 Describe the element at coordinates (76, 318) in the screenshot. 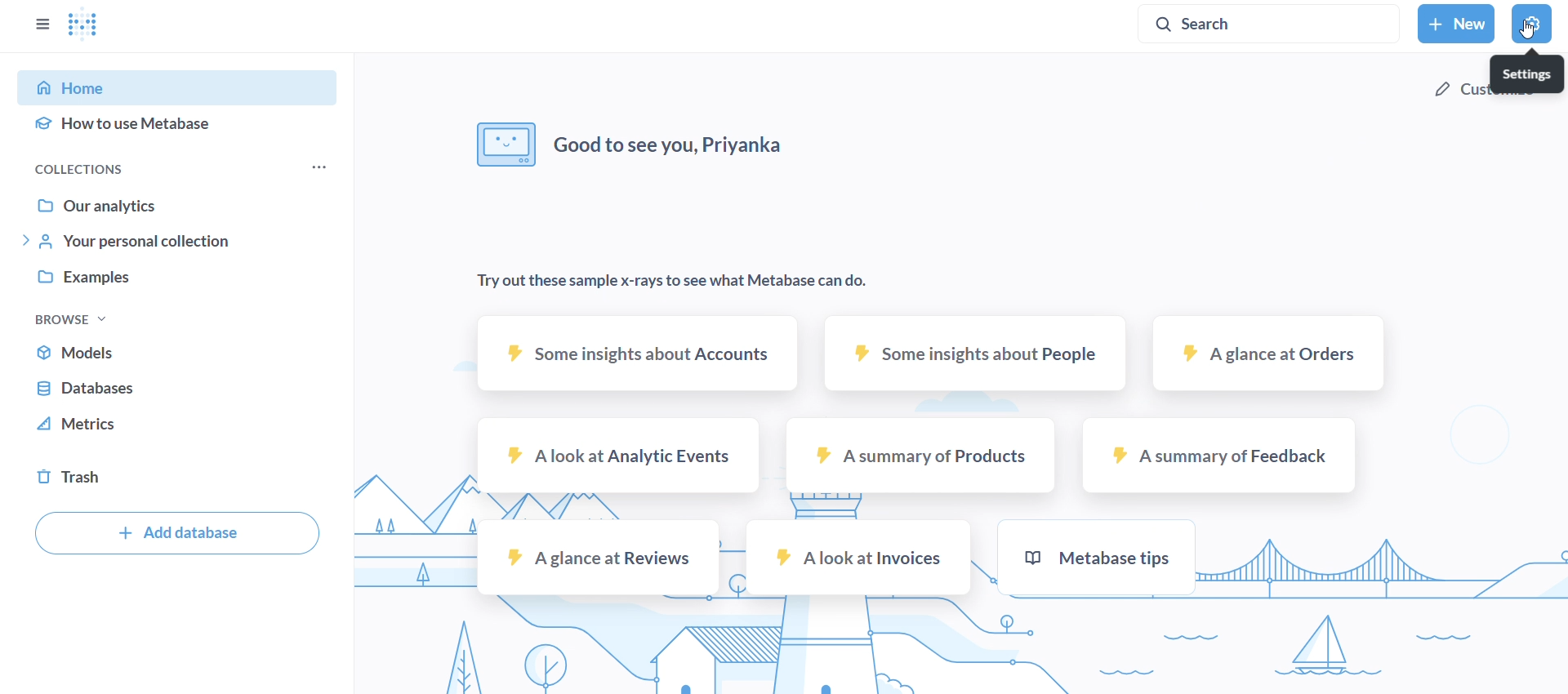

I see `browse` at that location.